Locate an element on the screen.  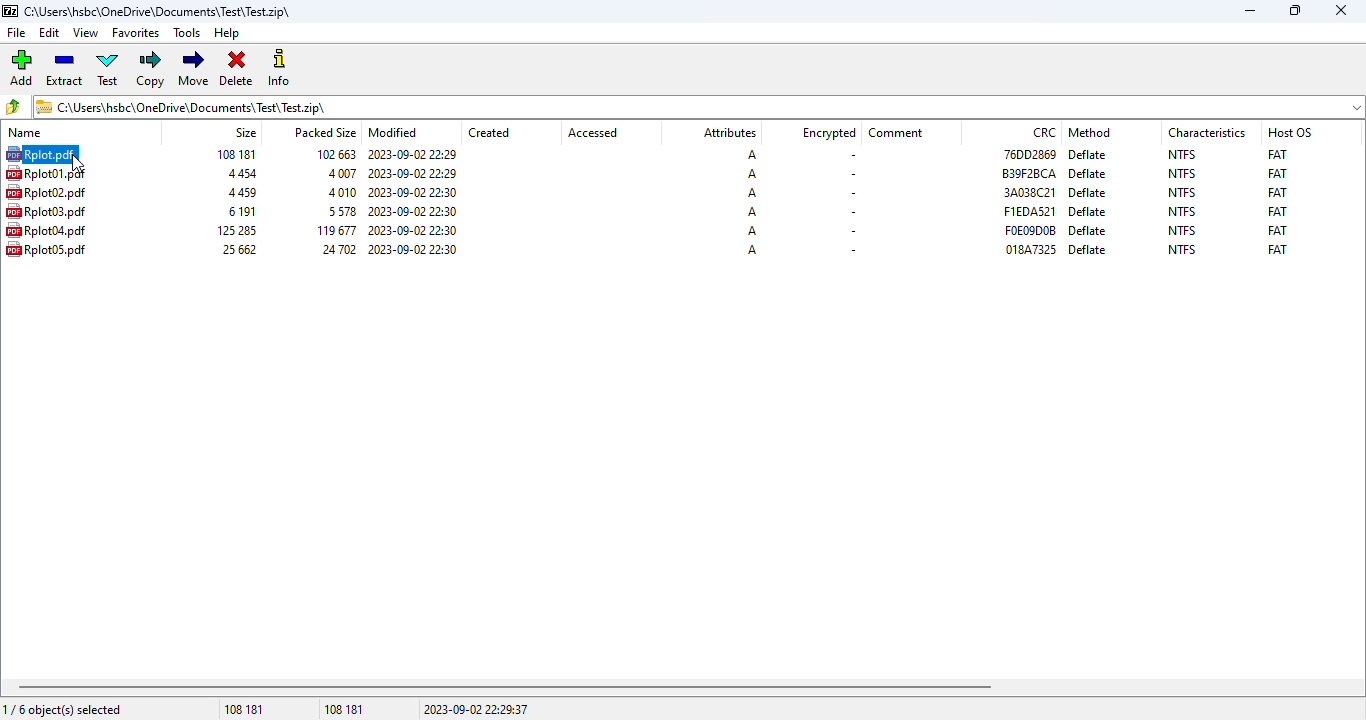
hotkey (CTRL+A) on selected file is located at coordinates (39, 154).